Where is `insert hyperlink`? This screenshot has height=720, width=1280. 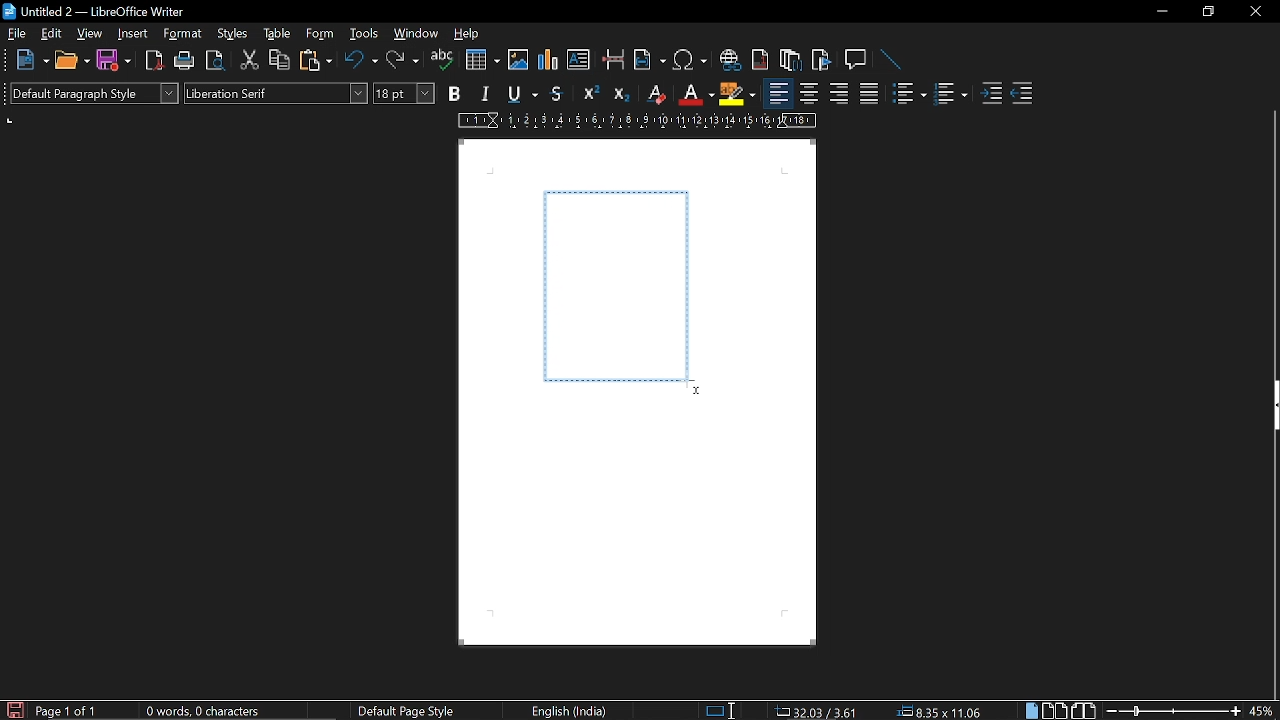 insert hyperlink is located at coordinates (730, 62).